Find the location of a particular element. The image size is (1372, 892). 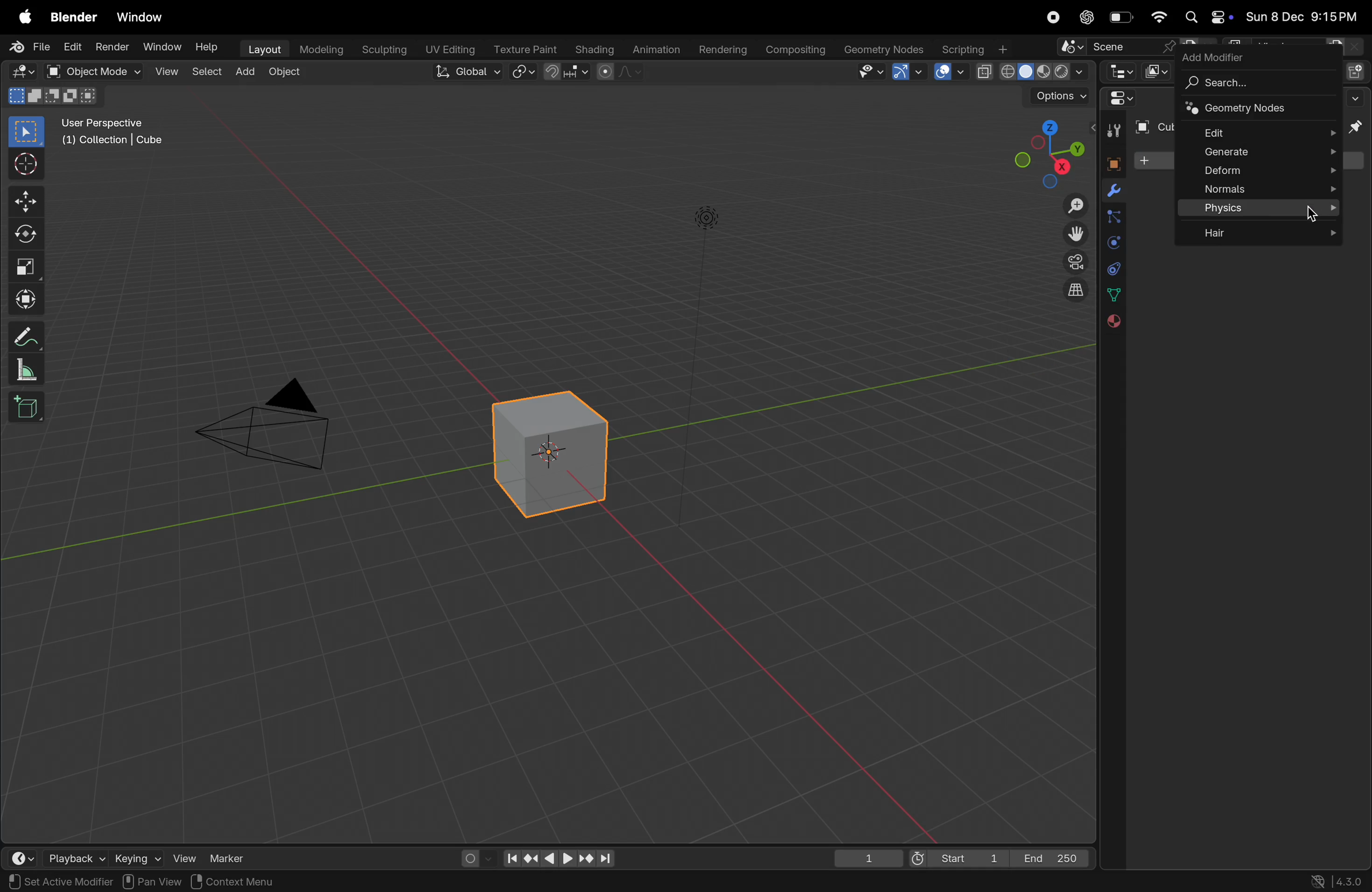

modelling is located at coordinates (322, 48).